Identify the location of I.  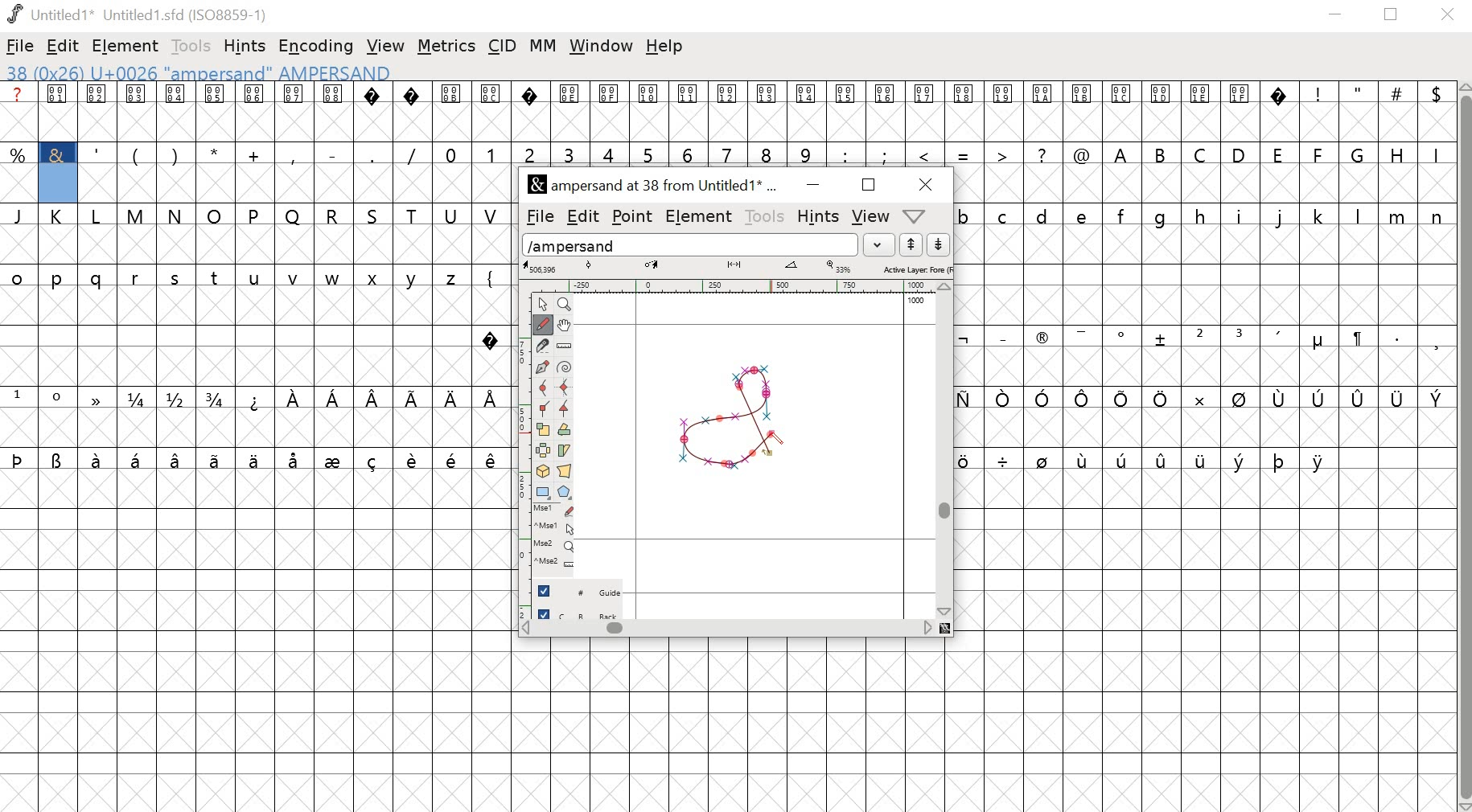
(1434, 154).